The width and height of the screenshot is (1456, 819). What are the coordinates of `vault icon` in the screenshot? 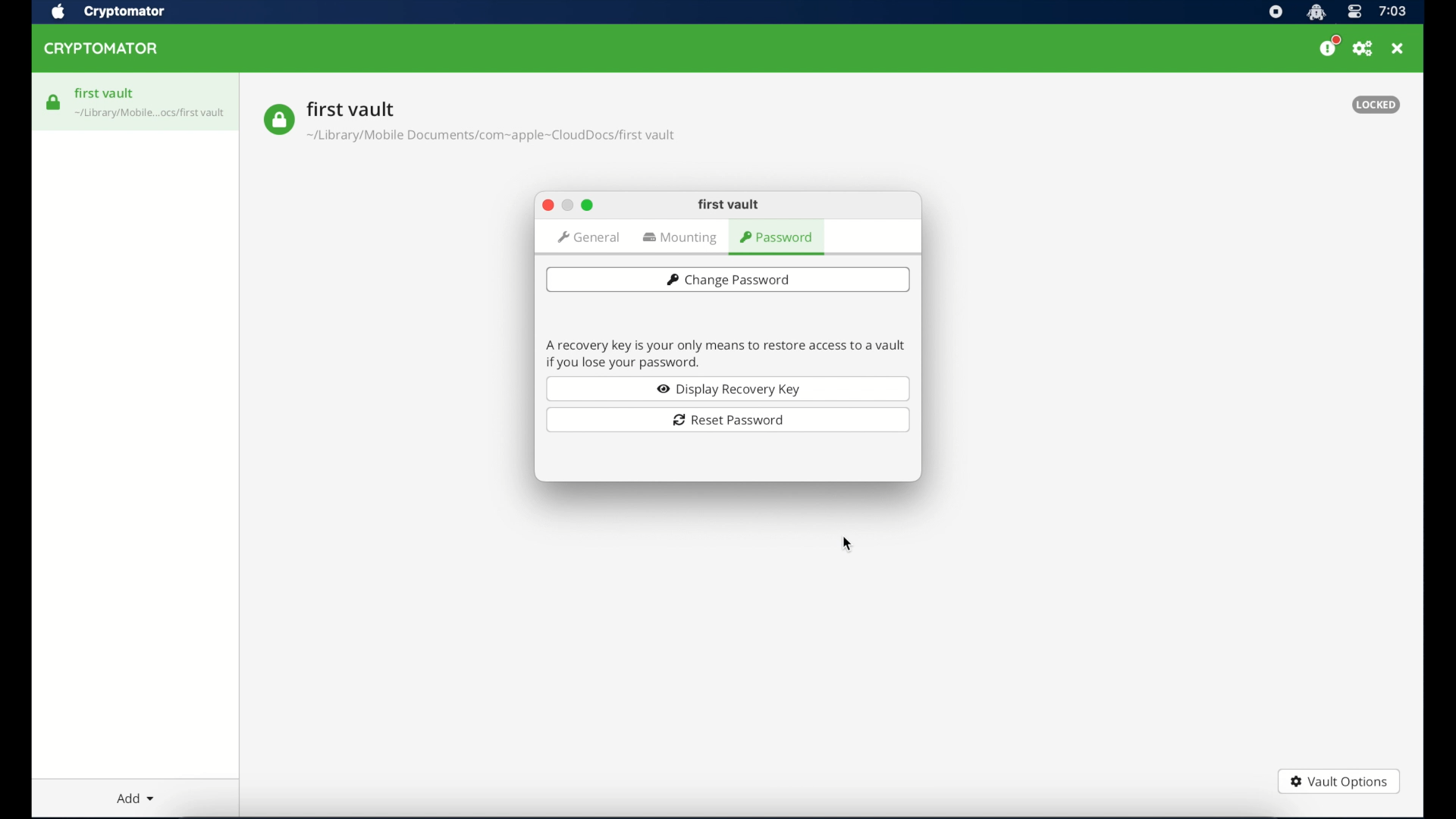 It's located at (151, 115).